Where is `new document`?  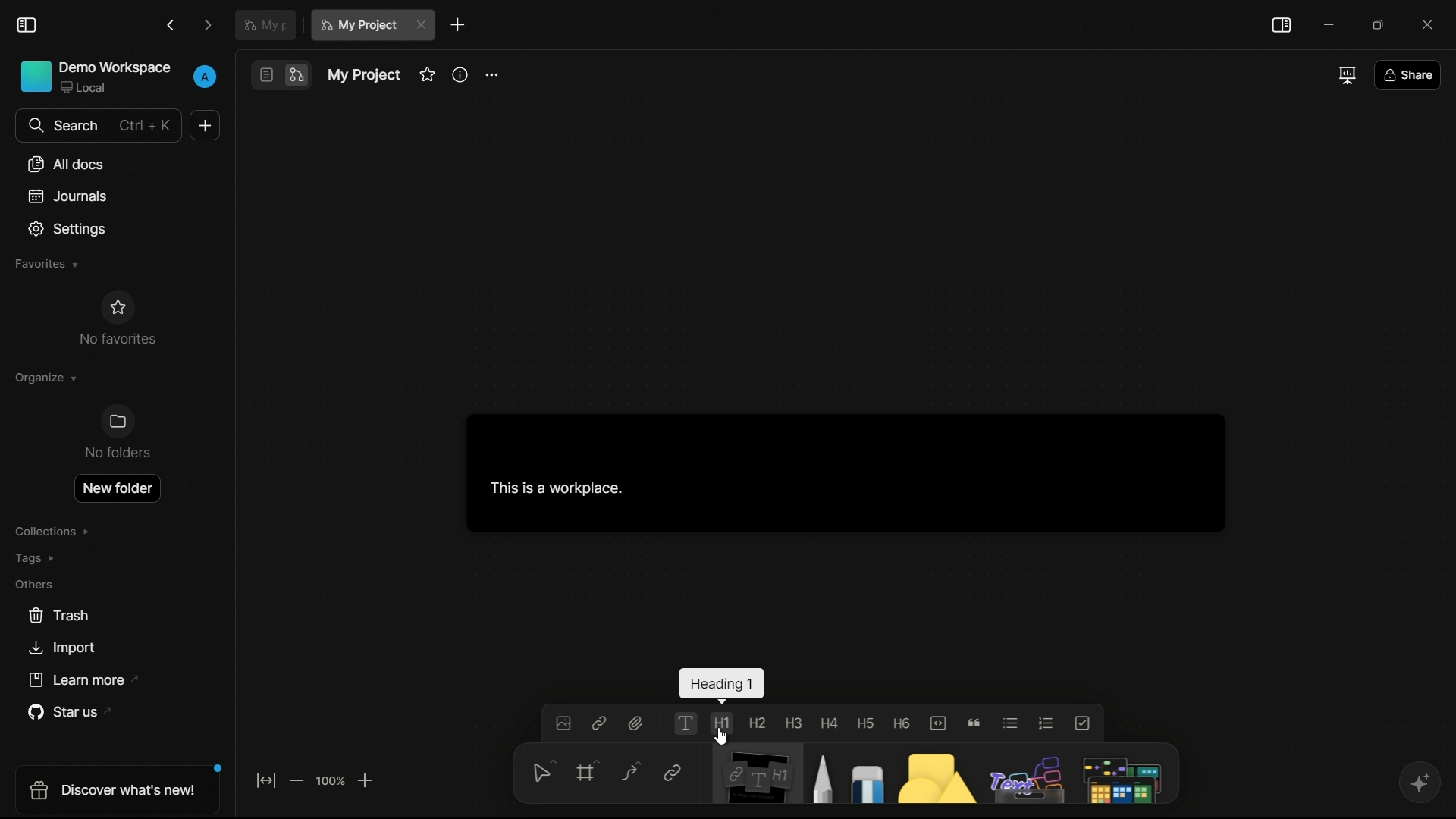 new document is located at coordinates (460, 25).